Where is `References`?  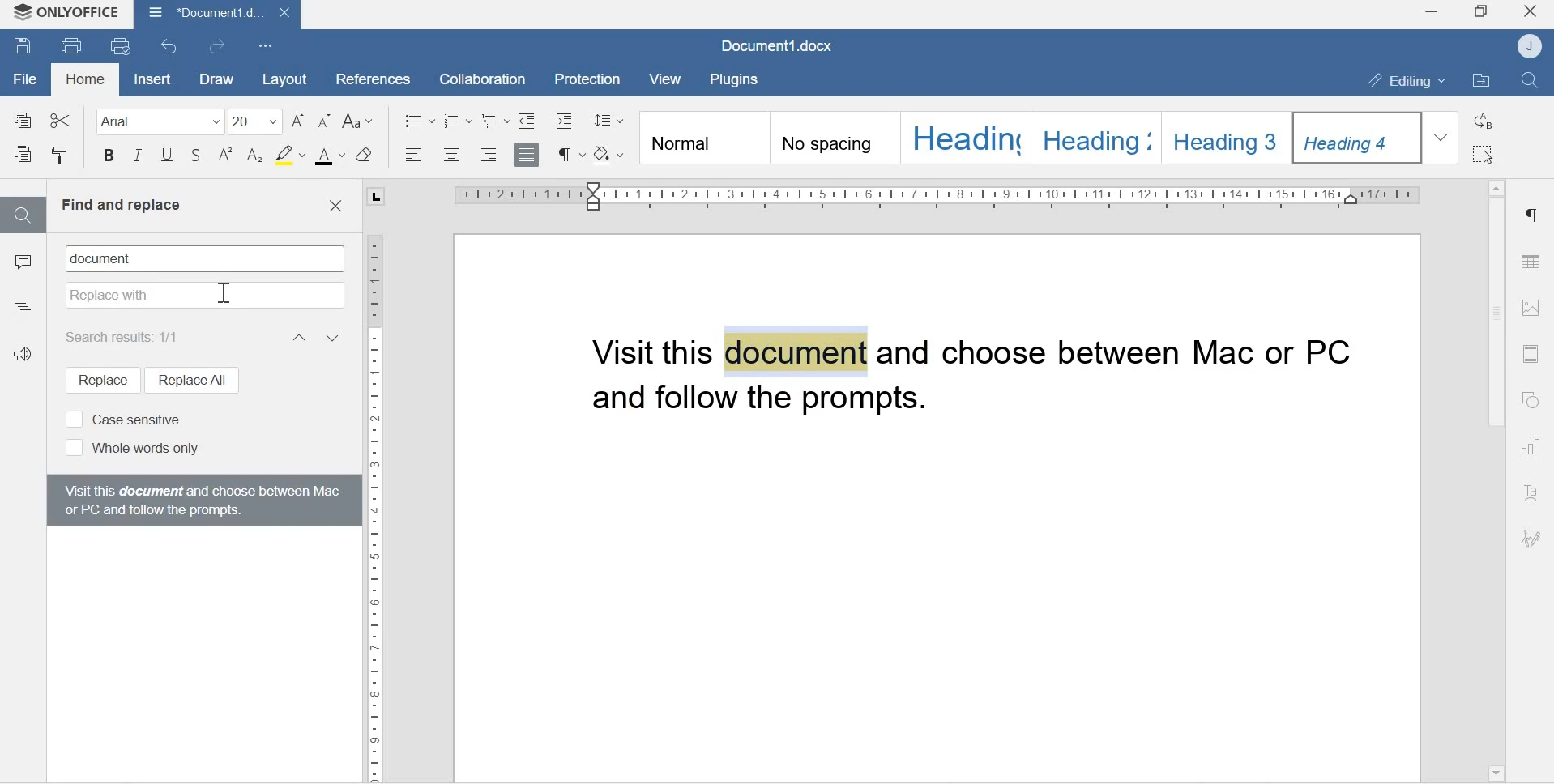
References is located at coordinates (367, 77).